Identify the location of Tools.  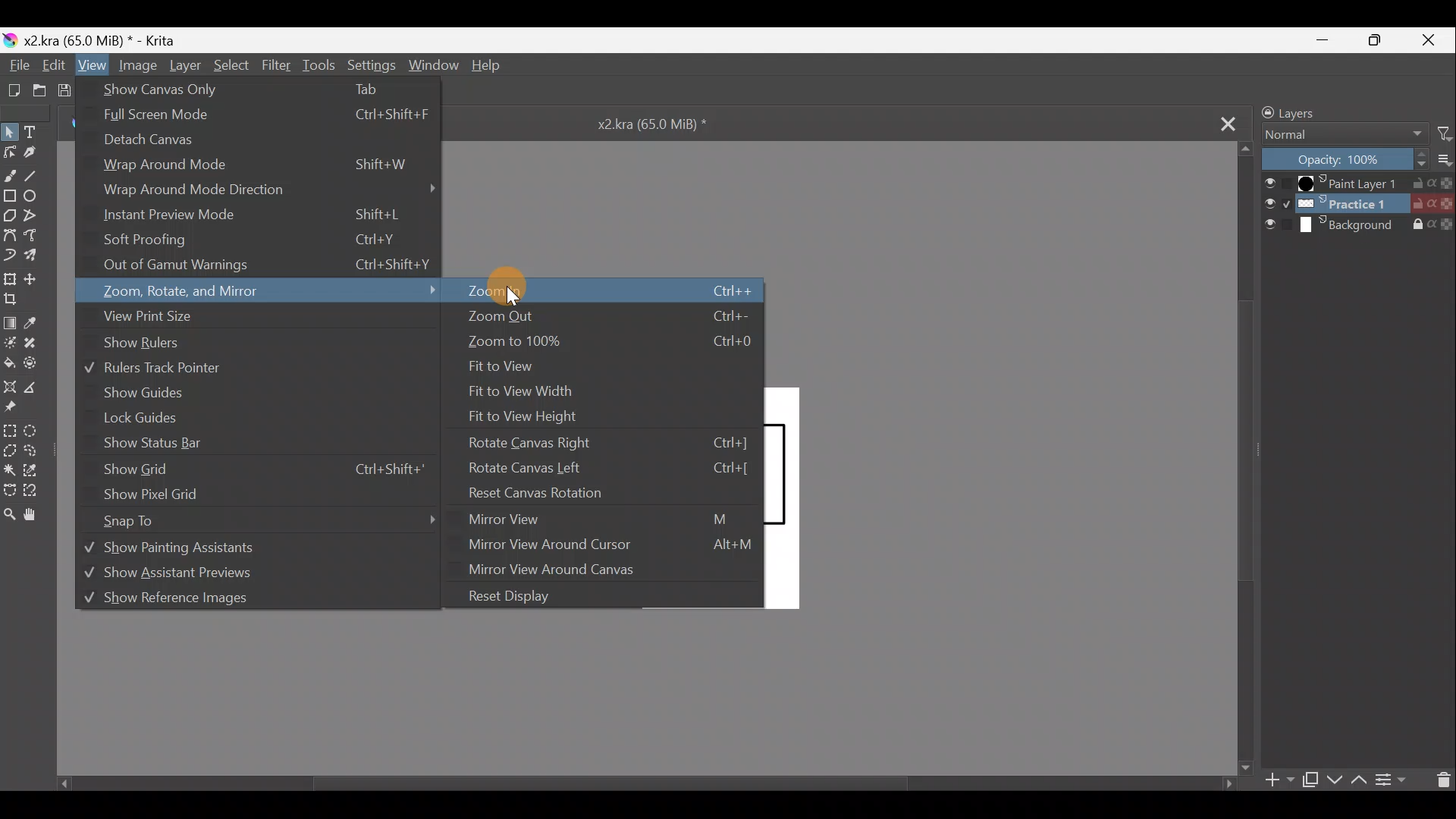
(320, 66).